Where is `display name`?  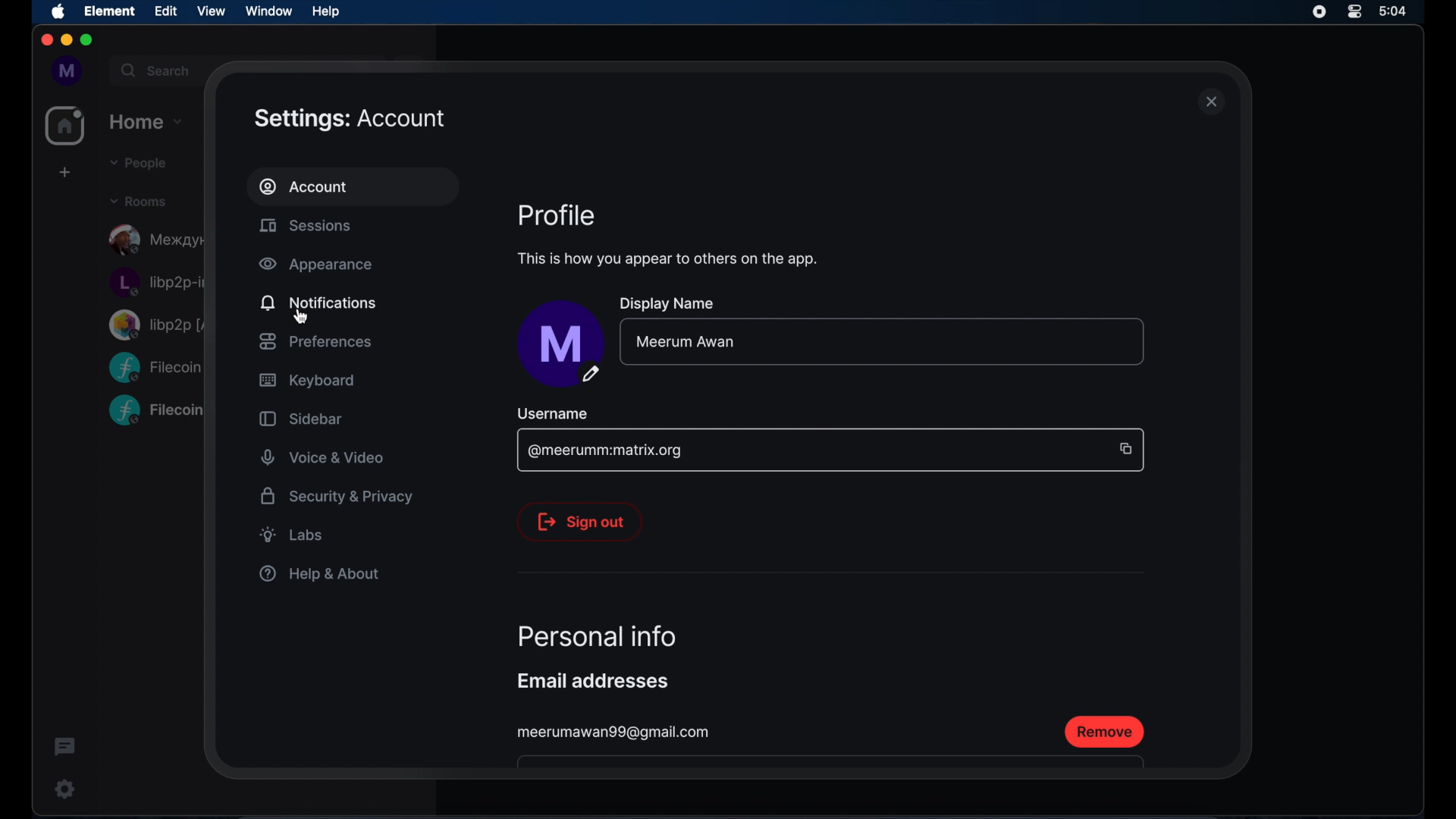 display name is located at coordinates (674, 305).